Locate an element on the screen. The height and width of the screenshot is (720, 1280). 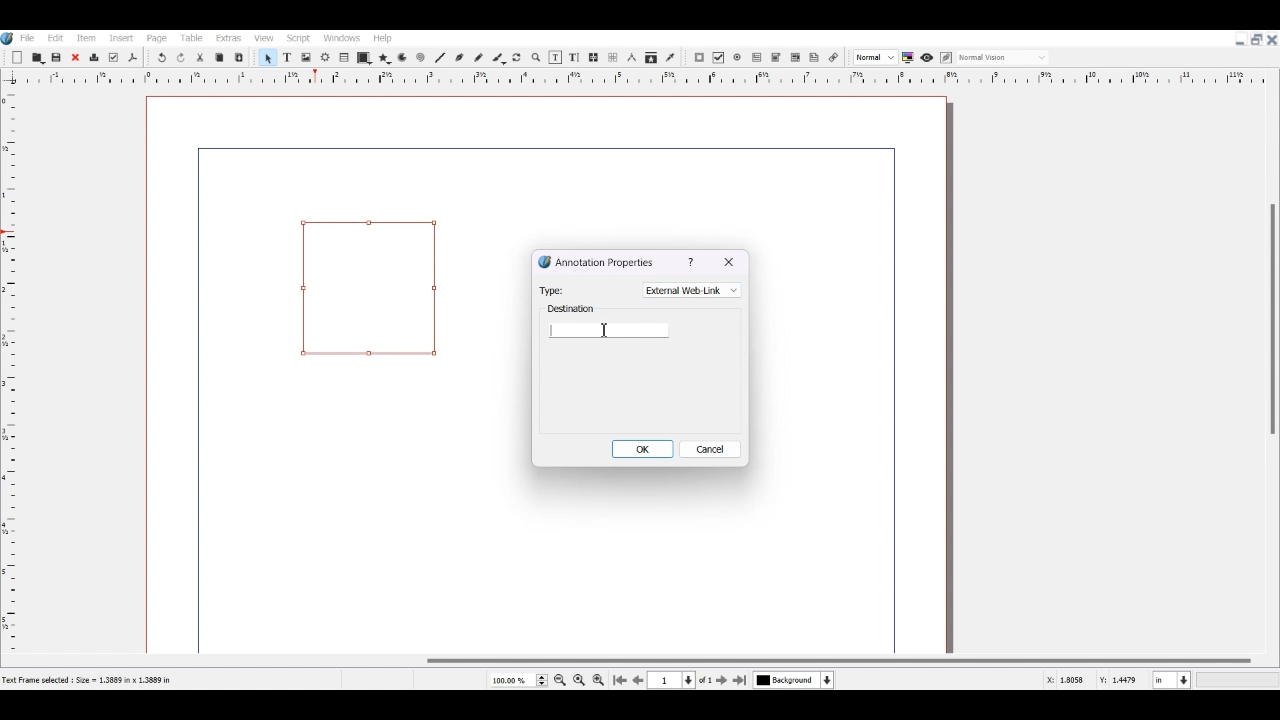
Extras is located at coordinates (228, 38).